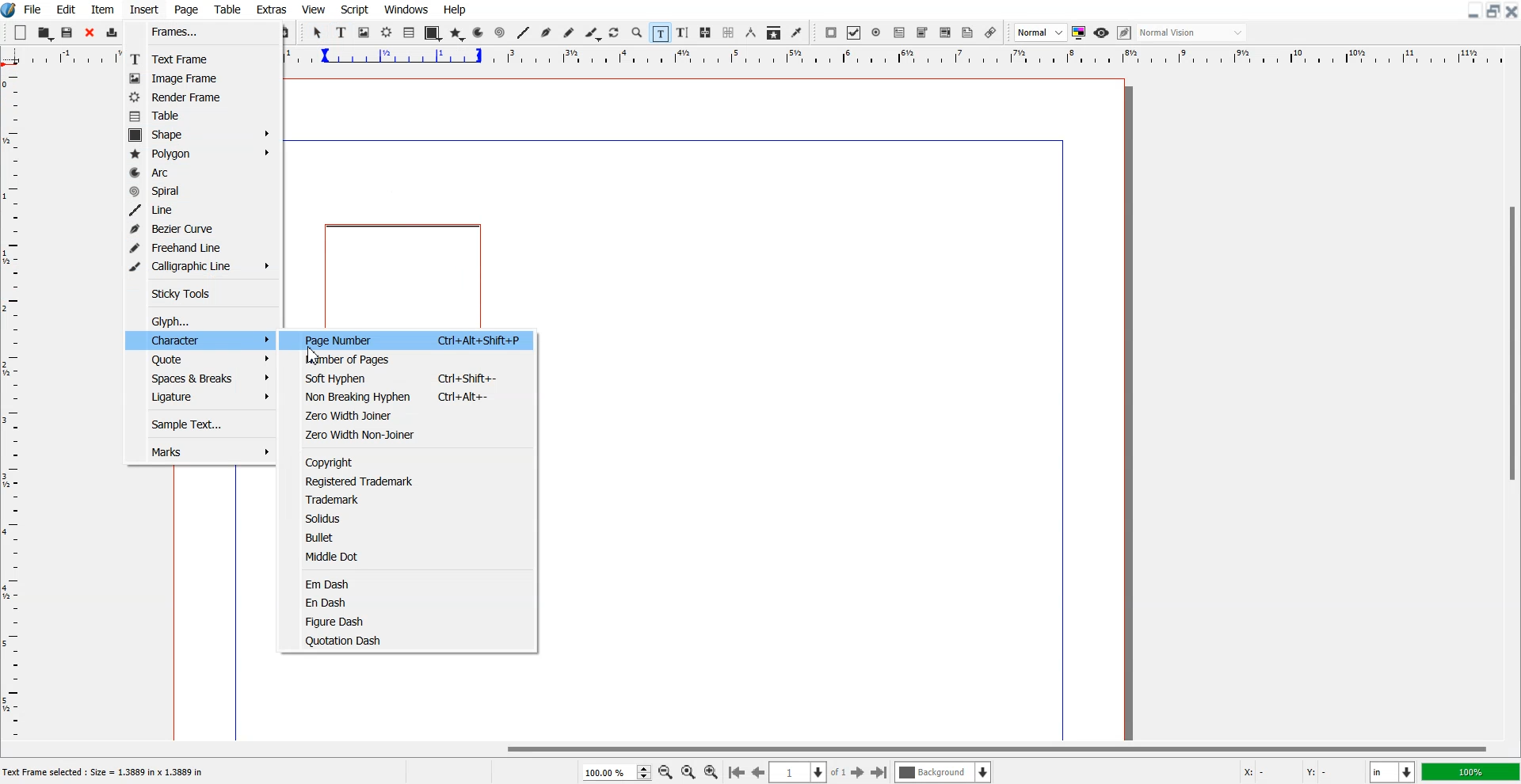  I want to click on Select Image Preview quality, so click(1041, 32).